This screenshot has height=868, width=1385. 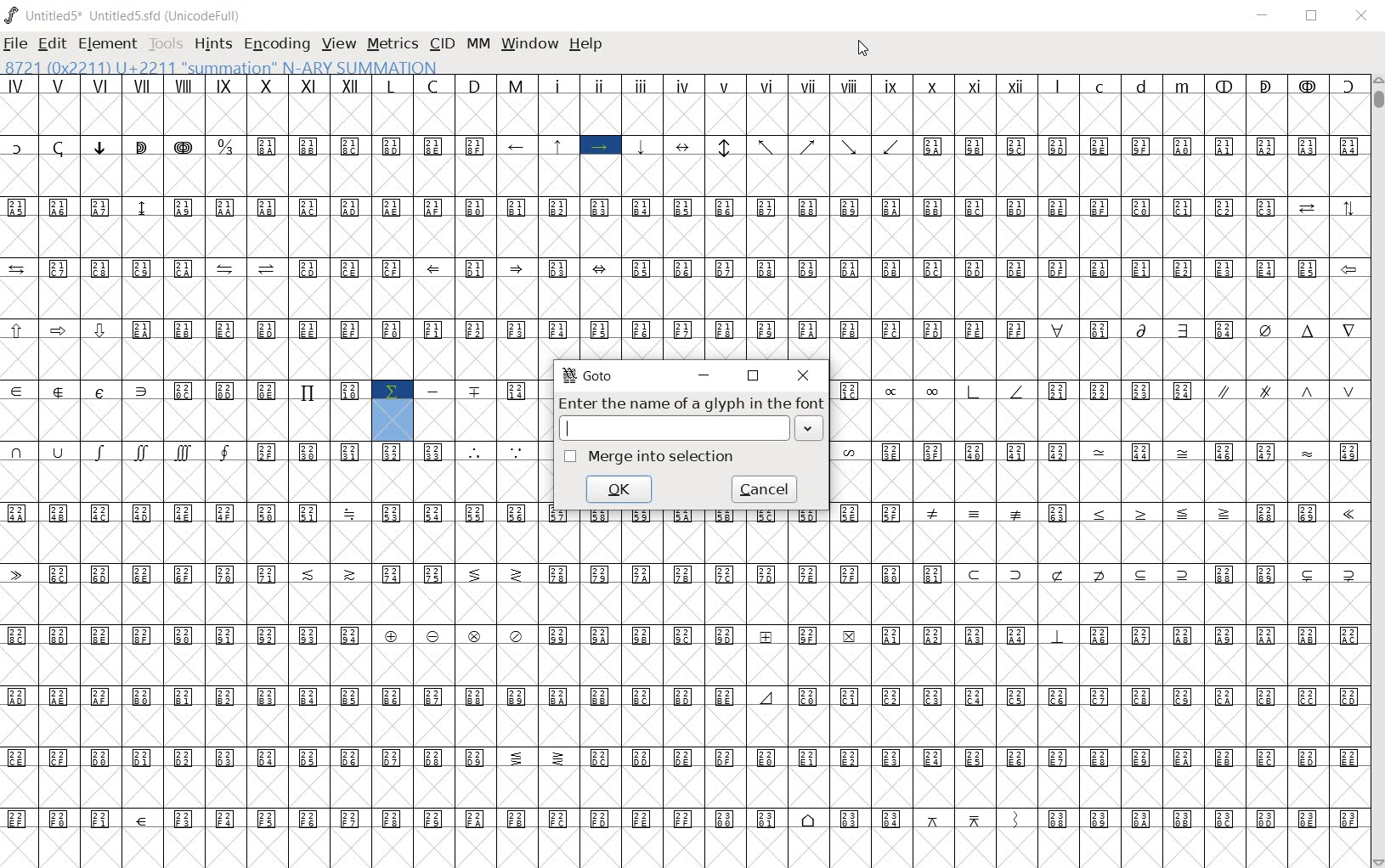 What do you see at coordinates (1099, 422) in the screenshot?
I see `empty cells` at bounding box center [1099, 422].